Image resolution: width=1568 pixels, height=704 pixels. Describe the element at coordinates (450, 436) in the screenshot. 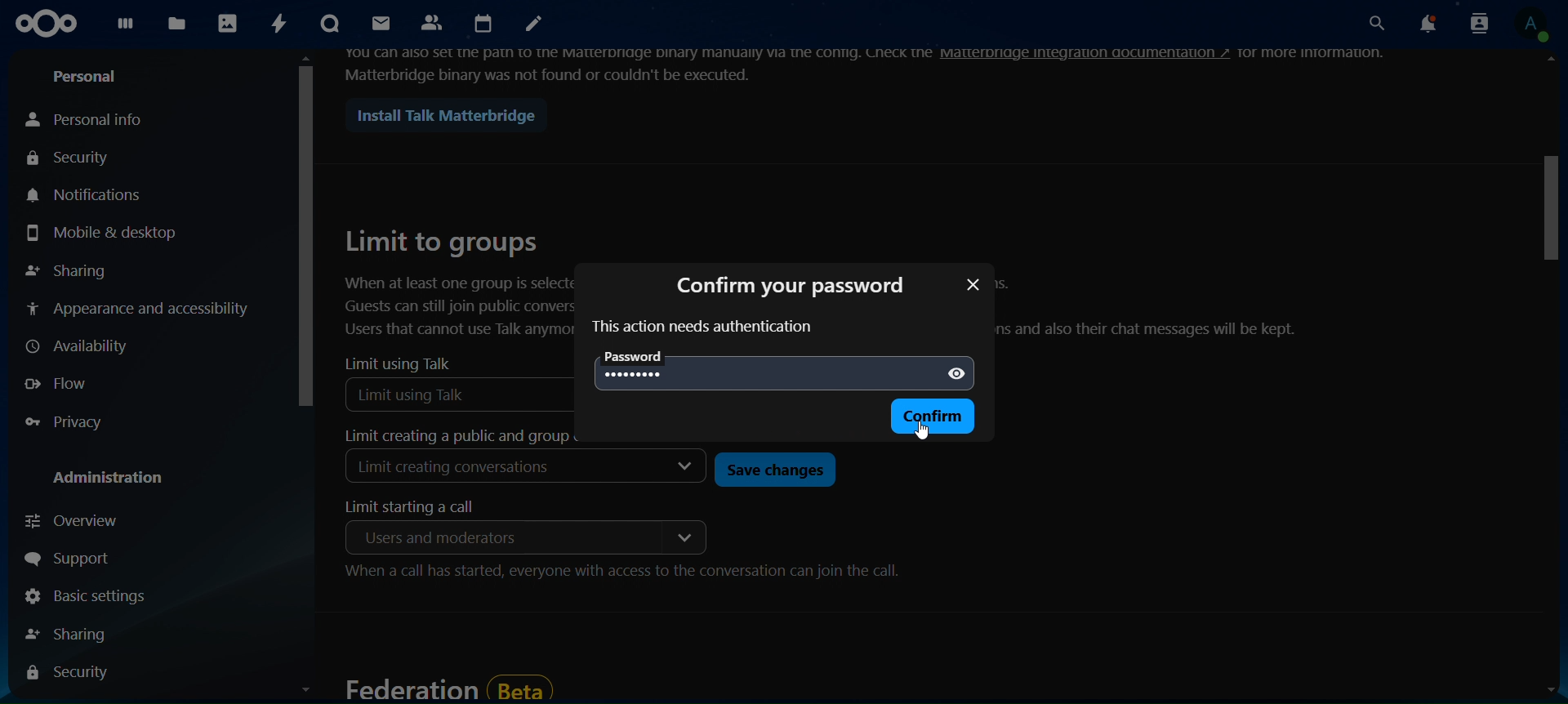

I see `limit creating a public and group conversation` at that location.